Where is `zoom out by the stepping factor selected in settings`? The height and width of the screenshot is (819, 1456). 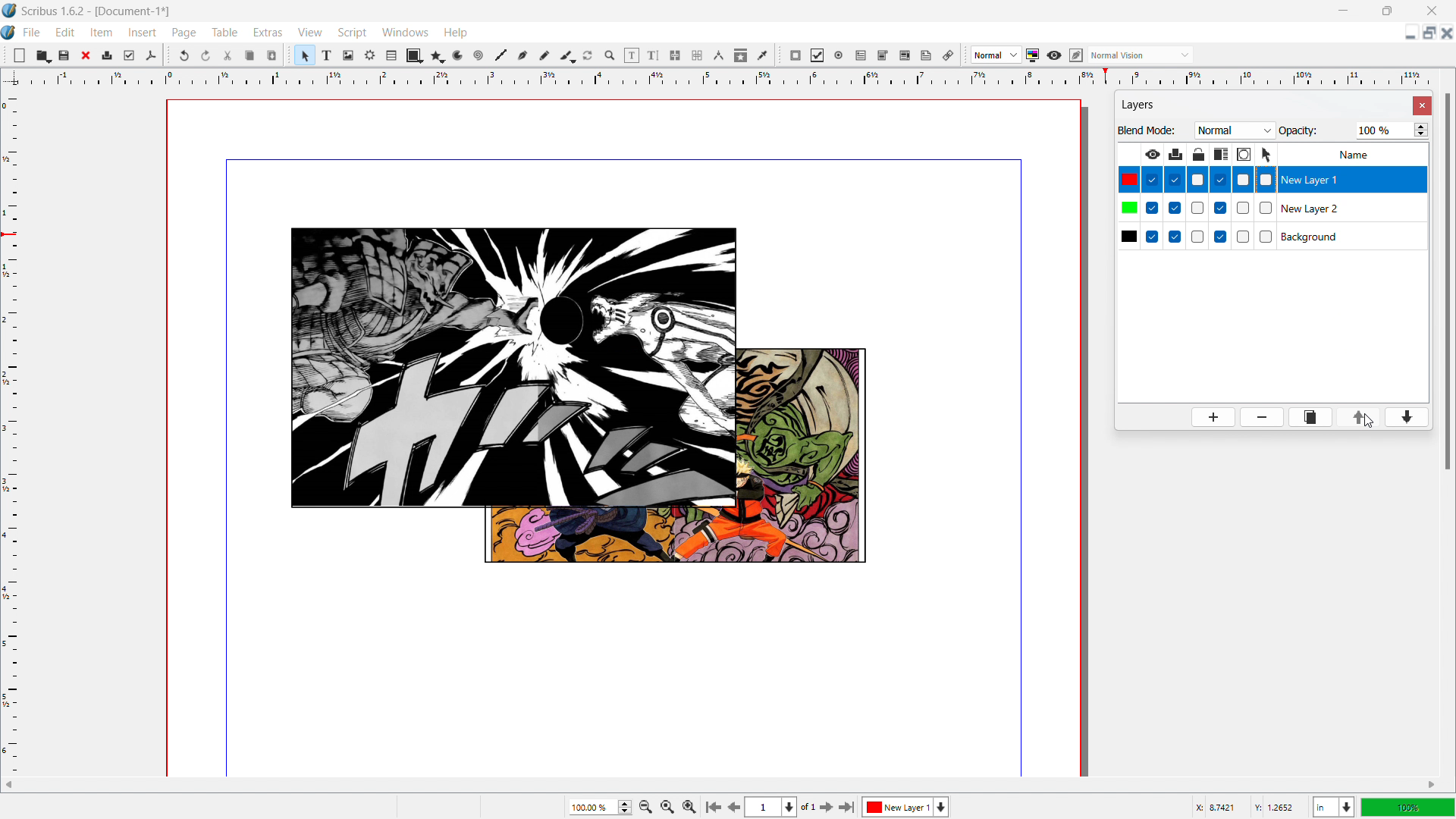 zoom out by the stepping factor selected in settings is located at coordinates (645, 806).